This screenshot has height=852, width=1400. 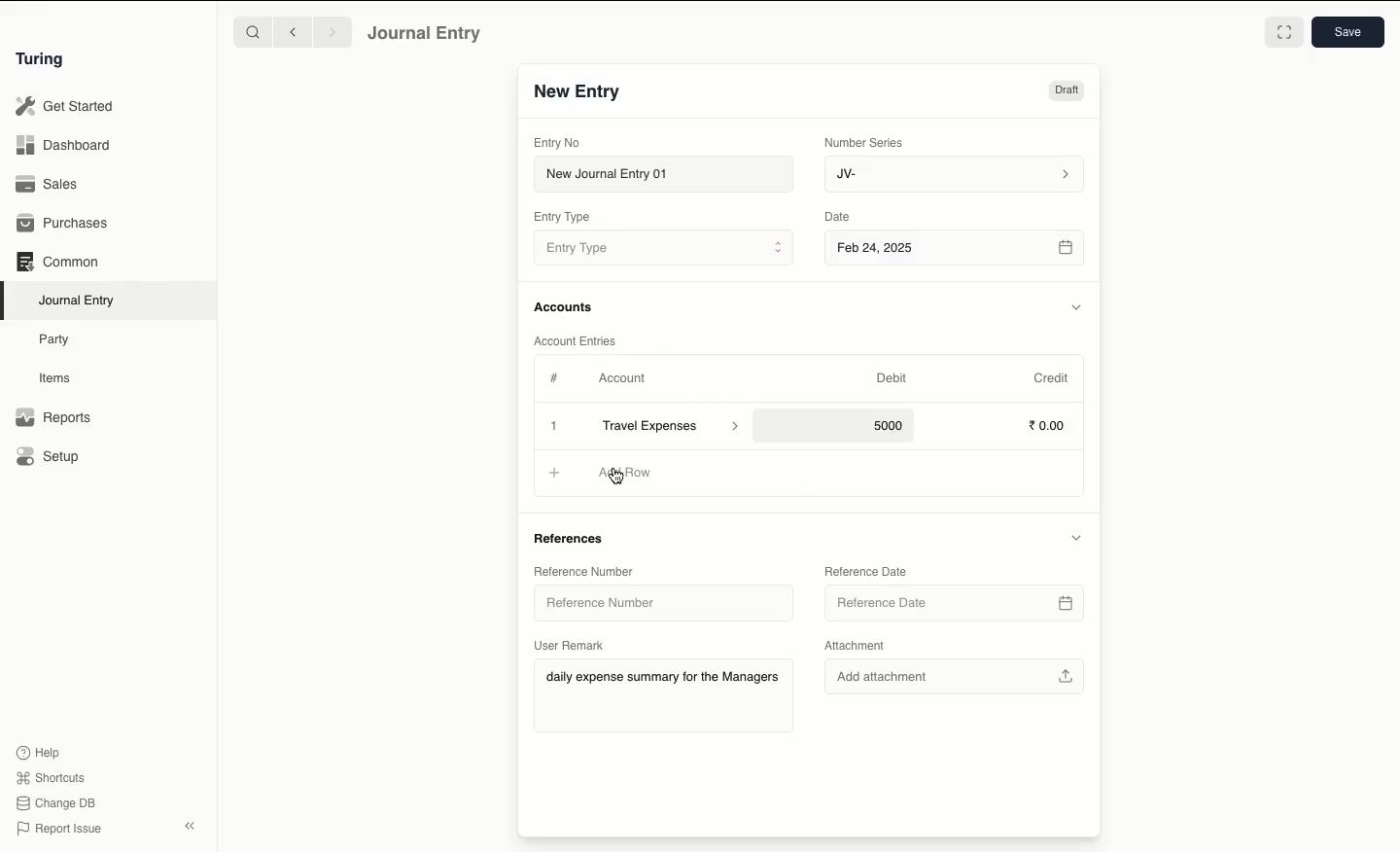 What do you see at coordinates (622, 473) in the screenshot?
I see `Add Row` at bounding box center [622, 473].